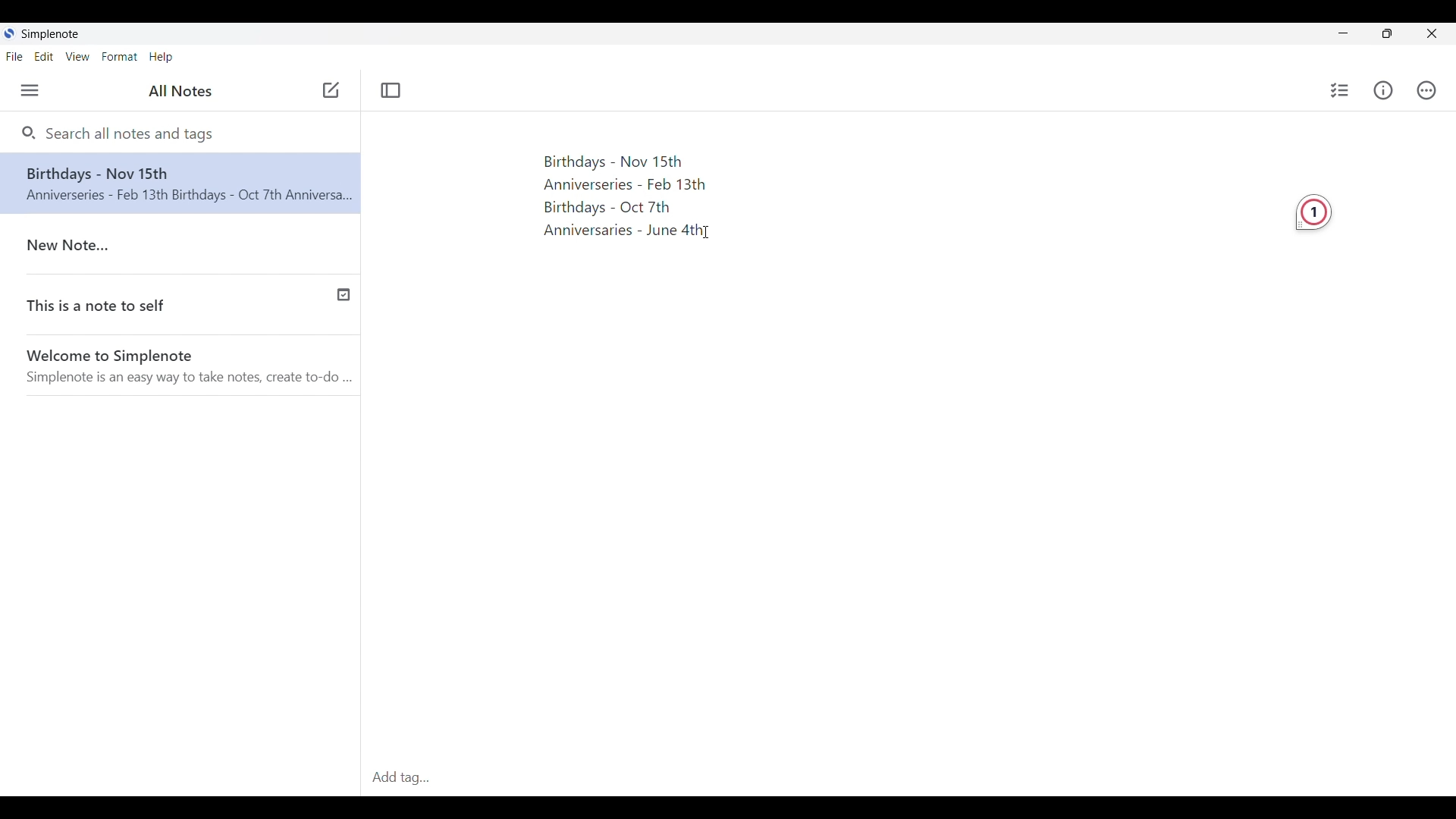 The image size is (1456, 819). What do you see at coordinates (44, 57) in the screenshot?
I see `Edit menu` at bounding box center [44, 57].